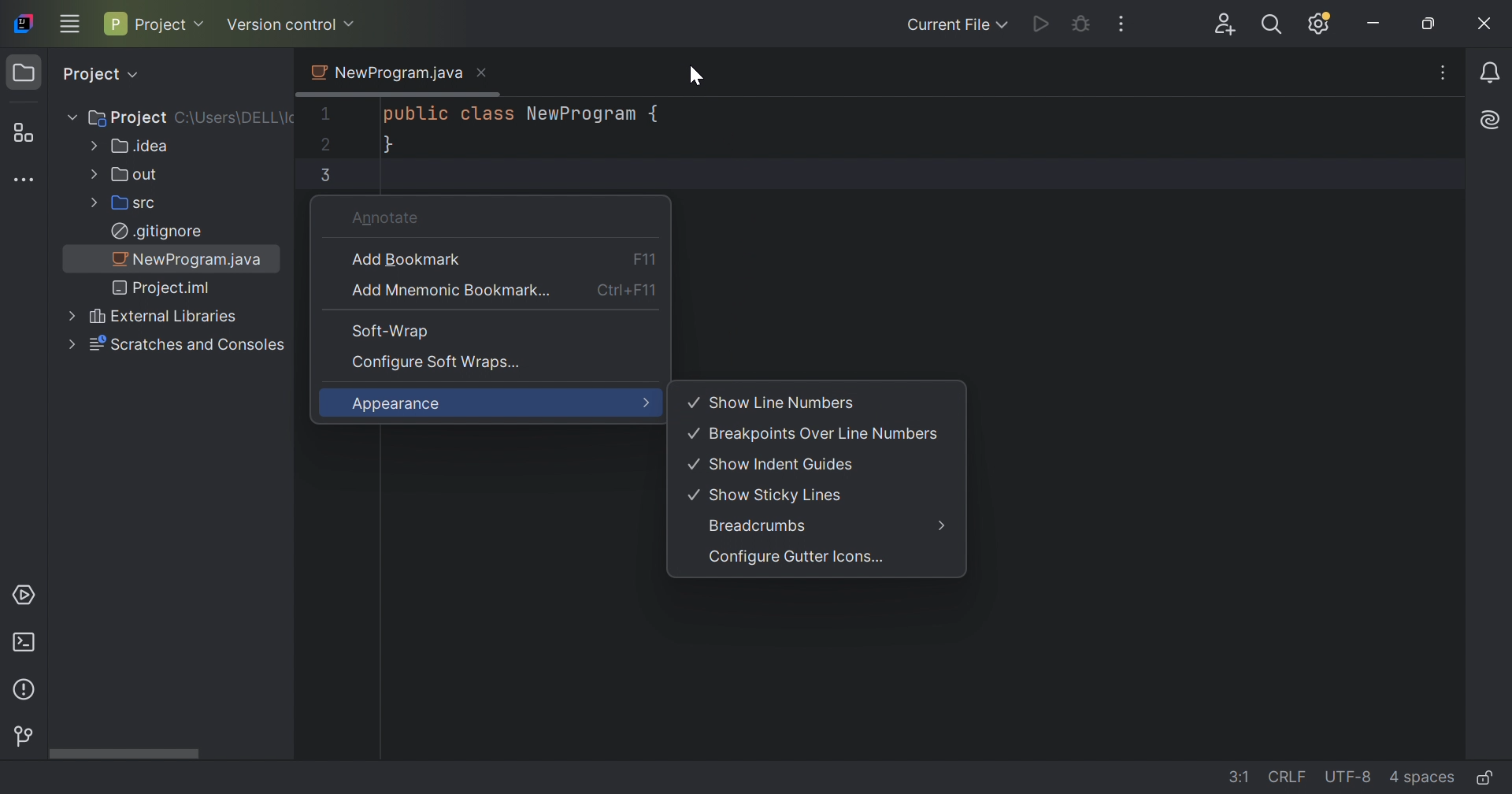 Image resolution: width=1512 pixels, height=794 pixels. Describe the element at coordinates (759, 525) in the screenshot. I see `Breadcrumps` at that location.